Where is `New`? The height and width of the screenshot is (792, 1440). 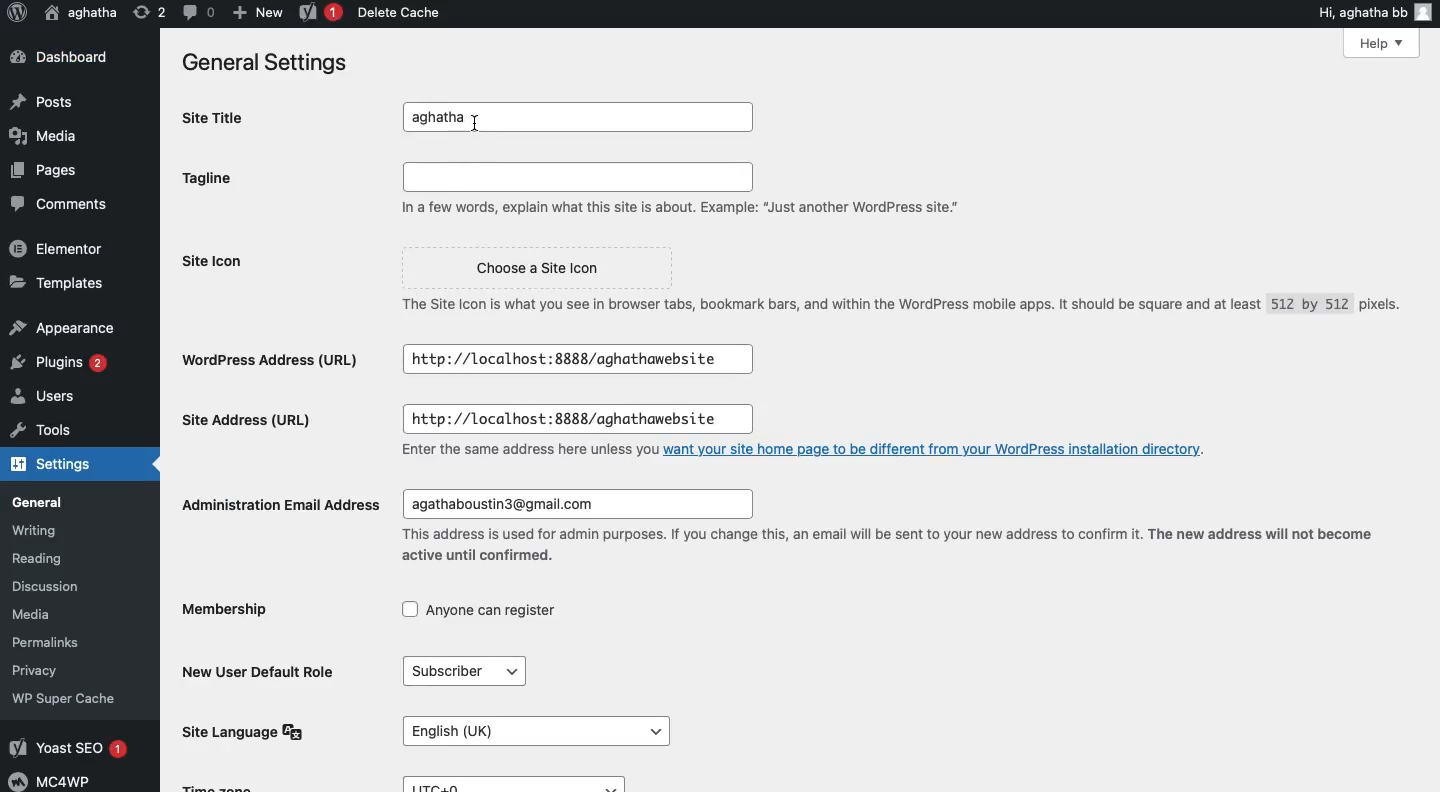
New is located at coordinates (255, 13).